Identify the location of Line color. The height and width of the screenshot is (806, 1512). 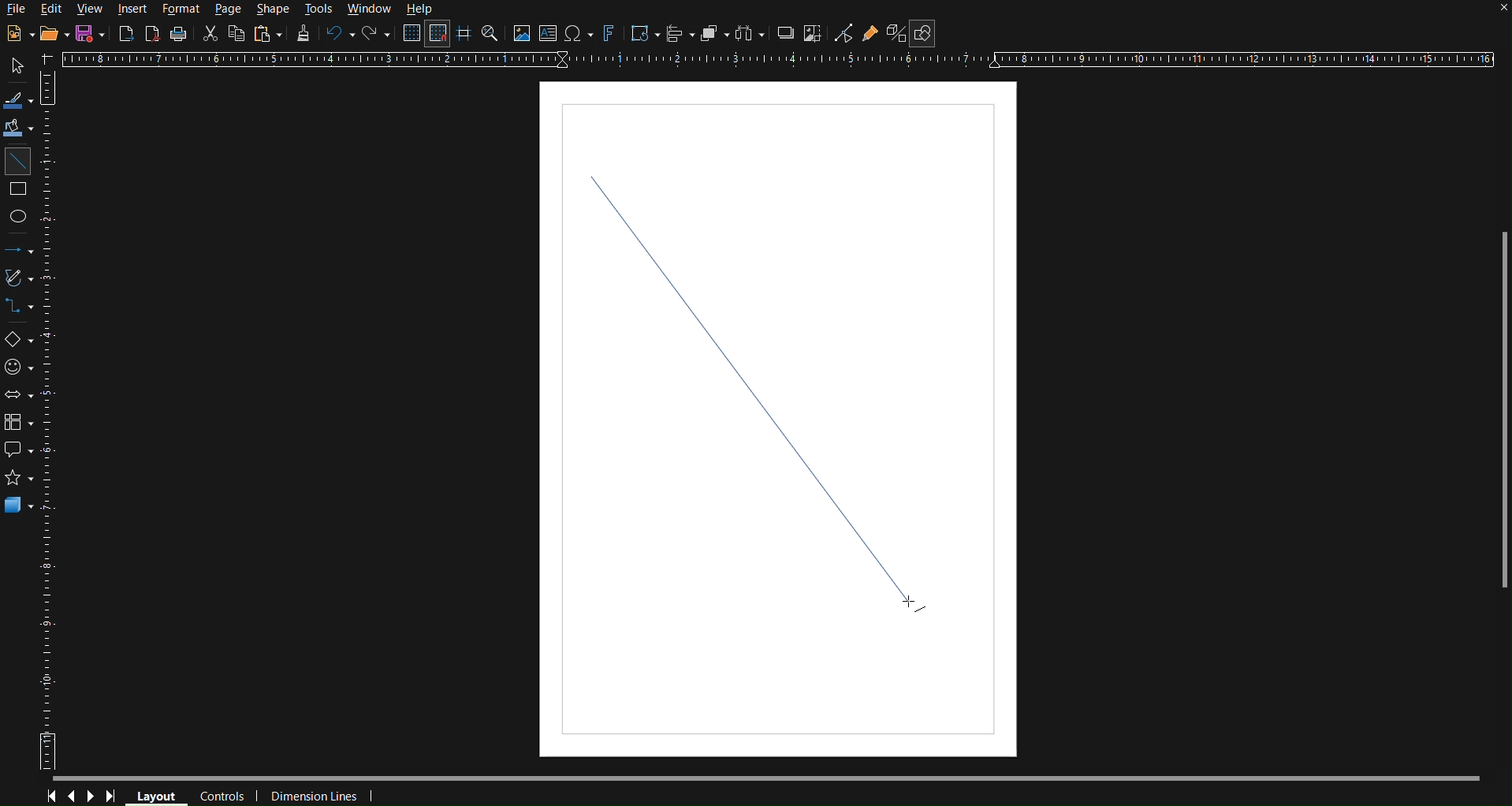
(19, 101).